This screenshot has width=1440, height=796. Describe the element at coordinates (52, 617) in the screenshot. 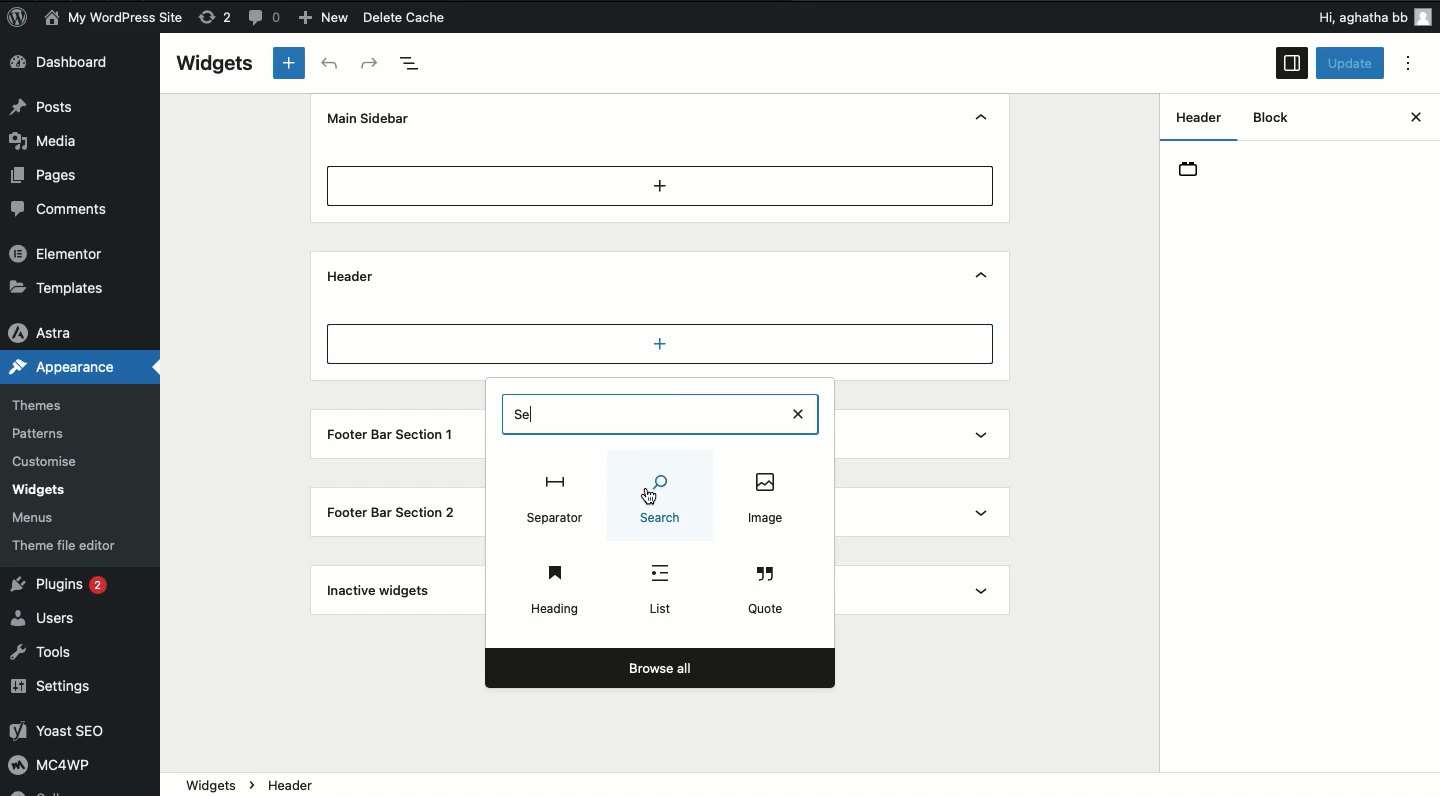

I see `Users` at that location.